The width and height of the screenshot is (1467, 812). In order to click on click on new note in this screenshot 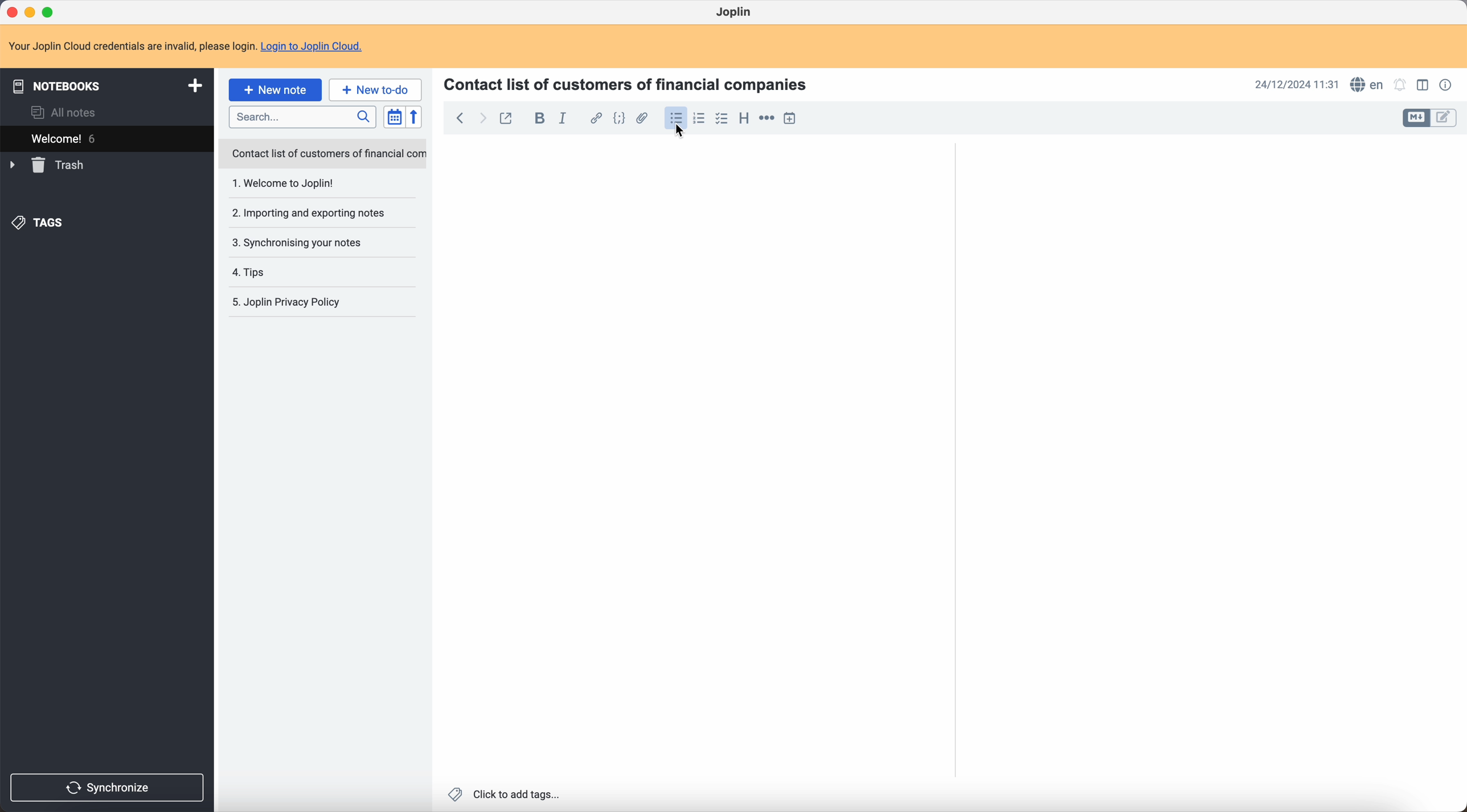, I will do `click(276, 90)`.